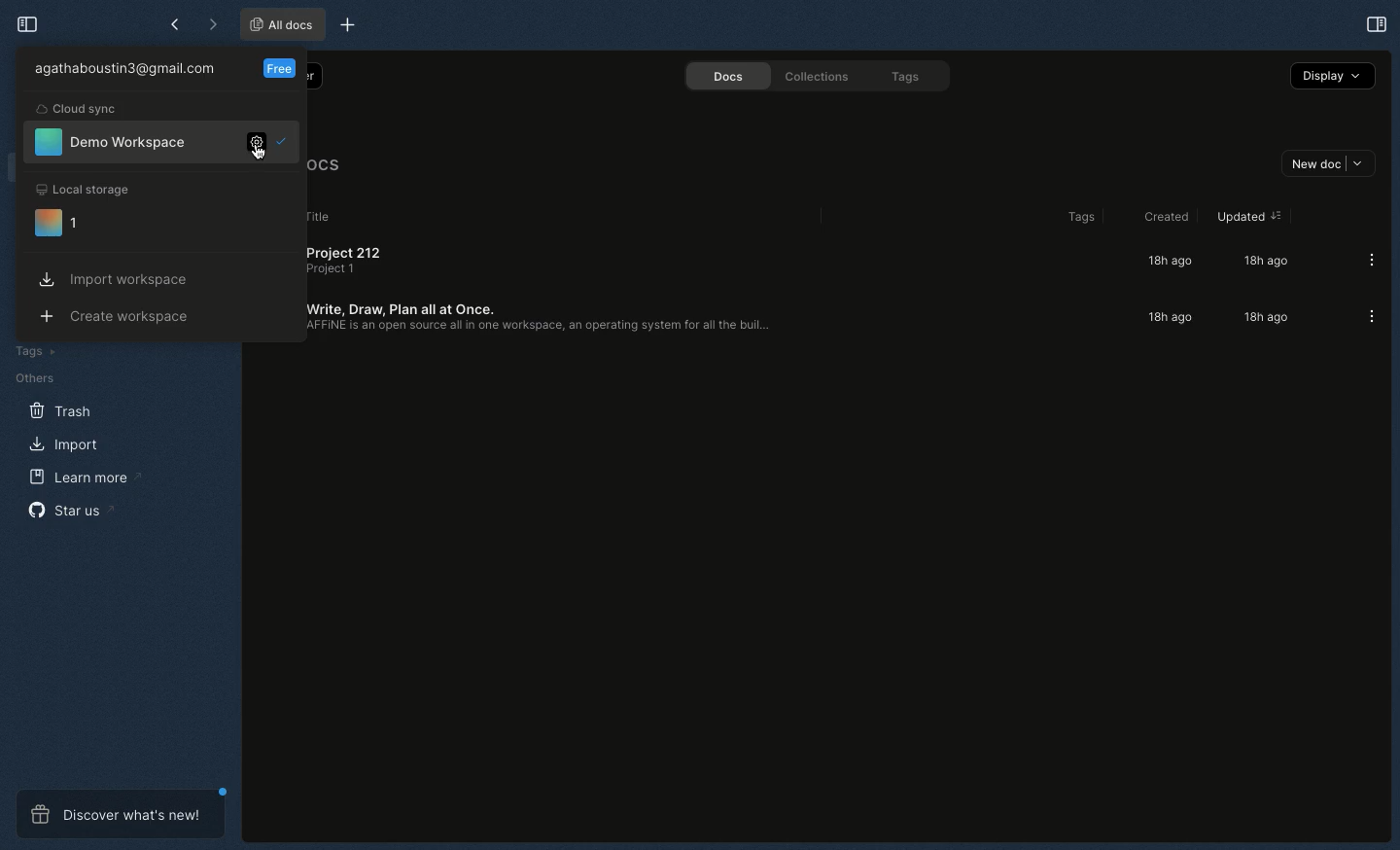 This screenshot has width=1400, height=850. I want to click on Collapse sidebar, so click(25, 25).